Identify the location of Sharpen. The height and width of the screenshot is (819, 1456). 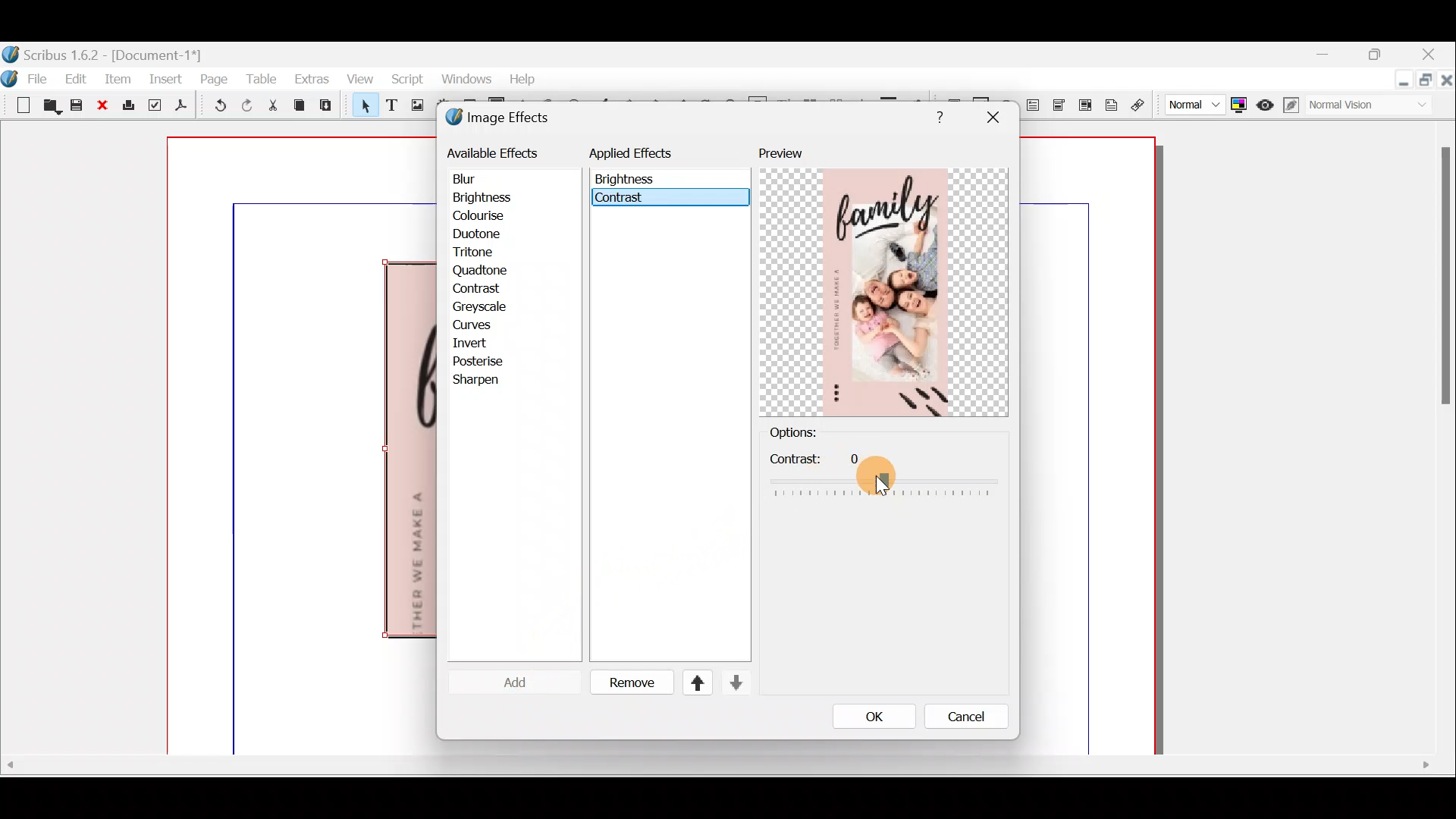
(484, 381).